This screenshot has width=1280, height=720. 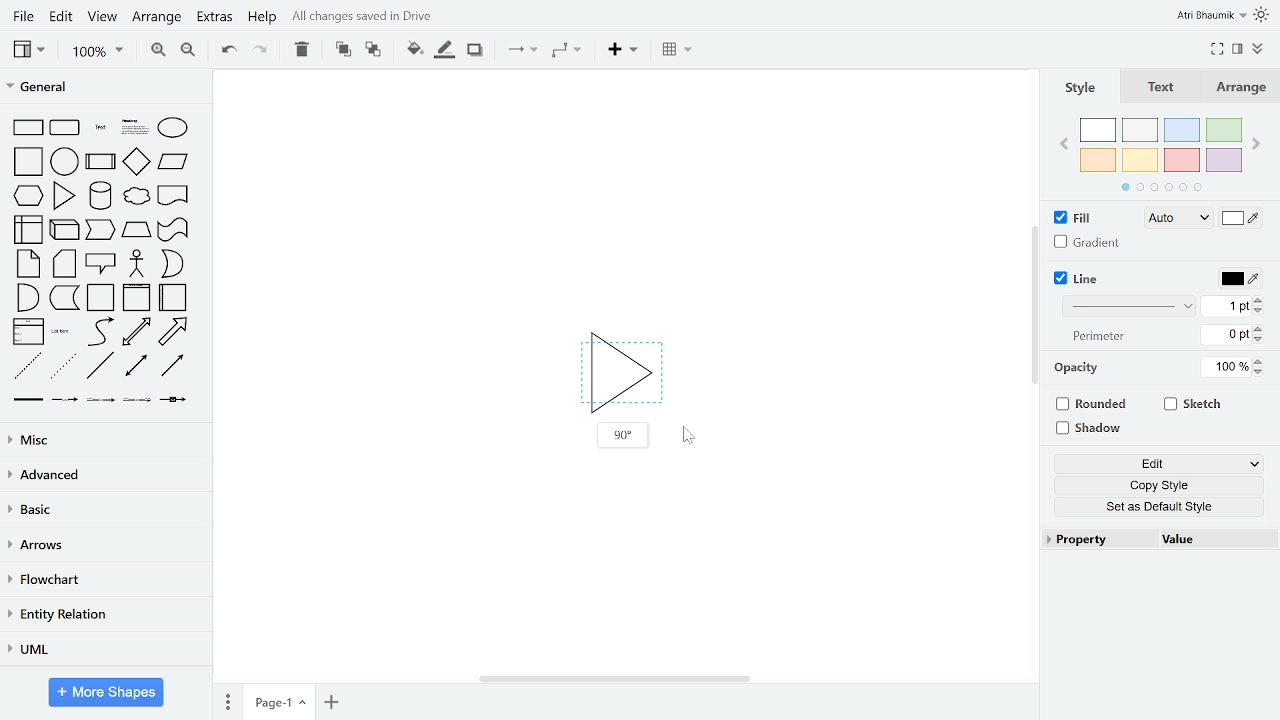 I want to click on increase line width, so click(x=1258, y=299).